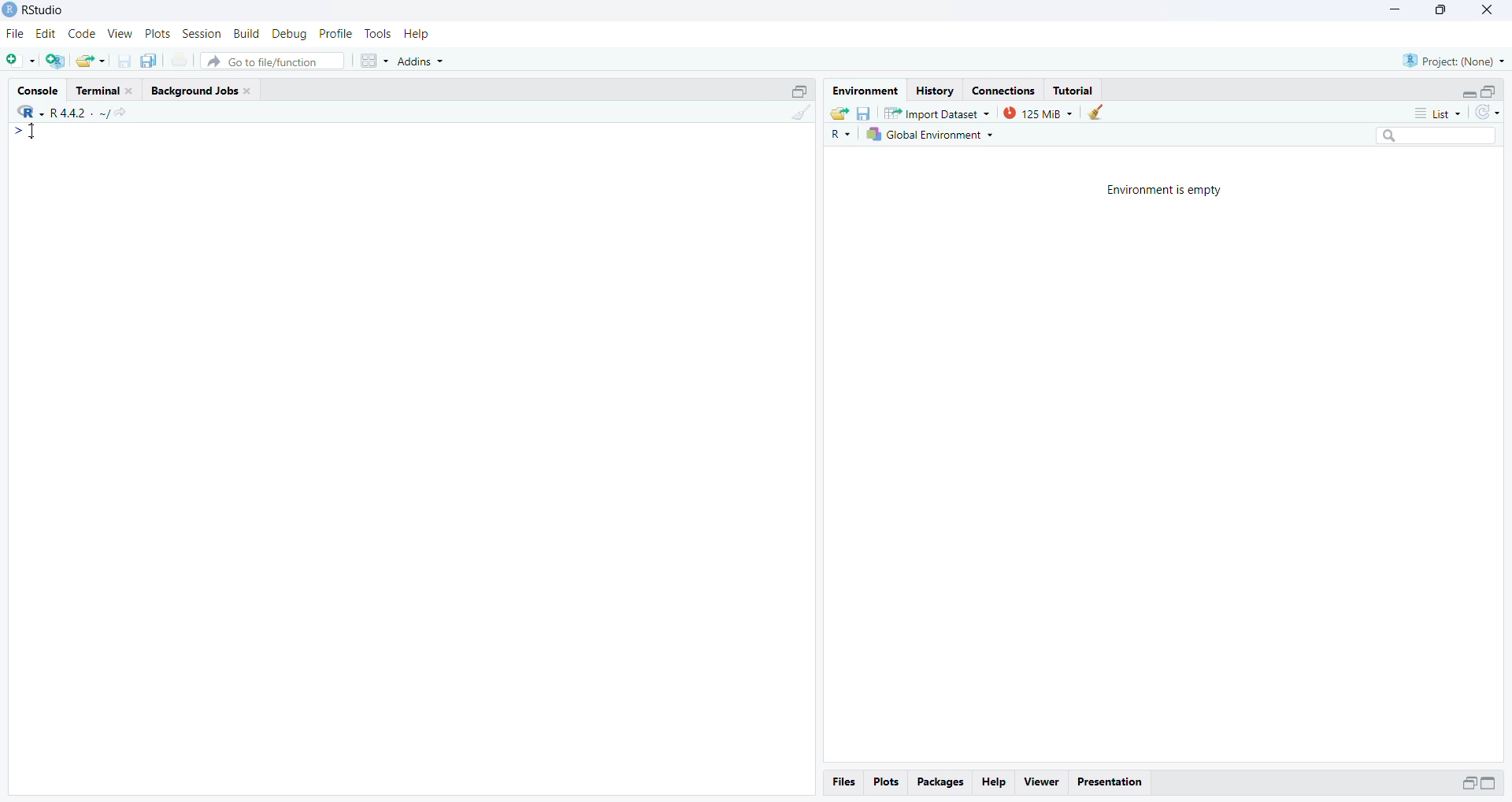 The height and width of the screenshot is (802, 1512). What do you see at coordinates (335, 34) in the screenshot?
I see `Profile` at bounding box center [335, 34].